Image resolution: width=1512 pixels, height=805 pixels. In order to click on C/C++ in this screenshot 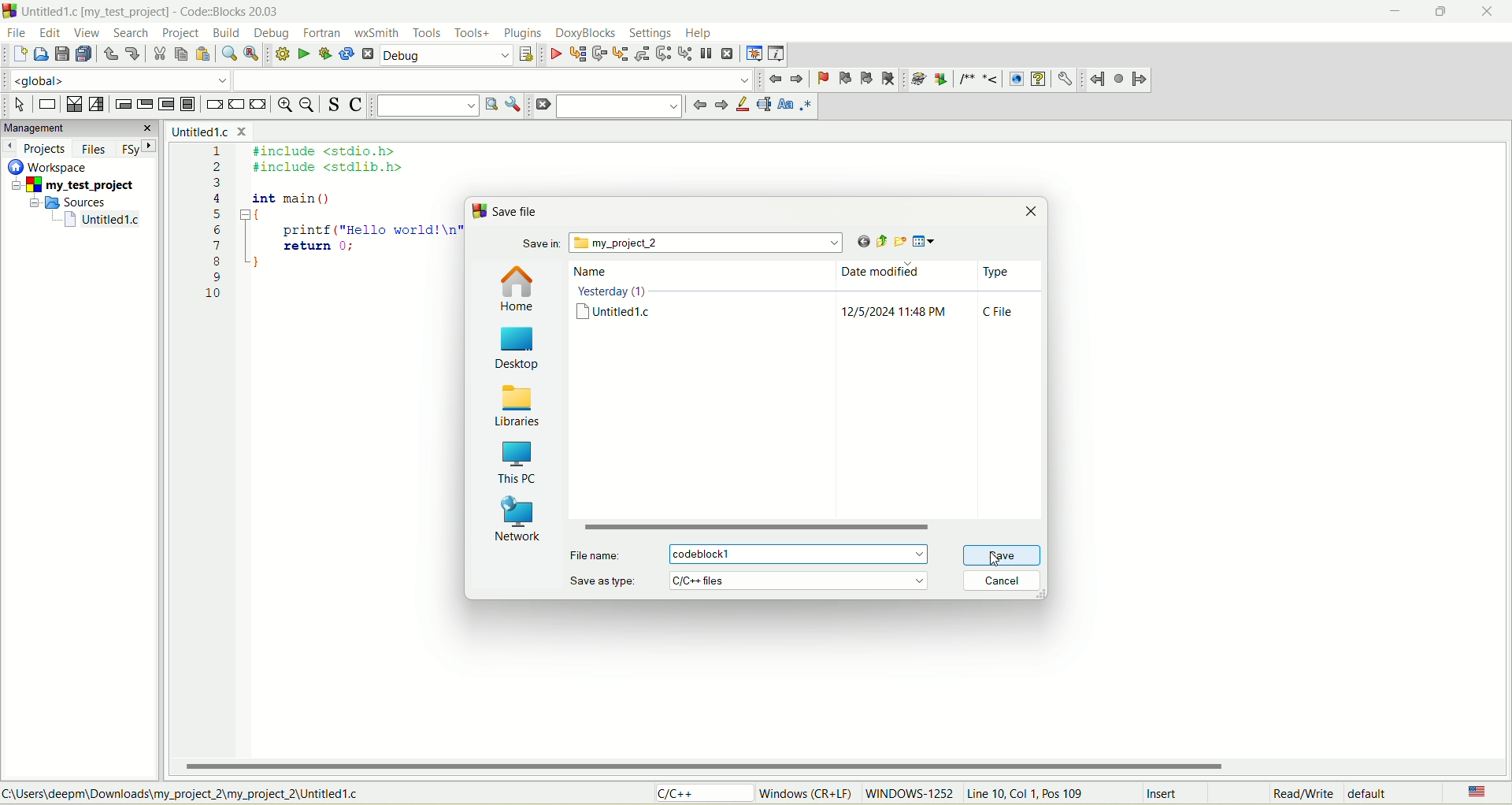, I will do `click(706, 794)`.